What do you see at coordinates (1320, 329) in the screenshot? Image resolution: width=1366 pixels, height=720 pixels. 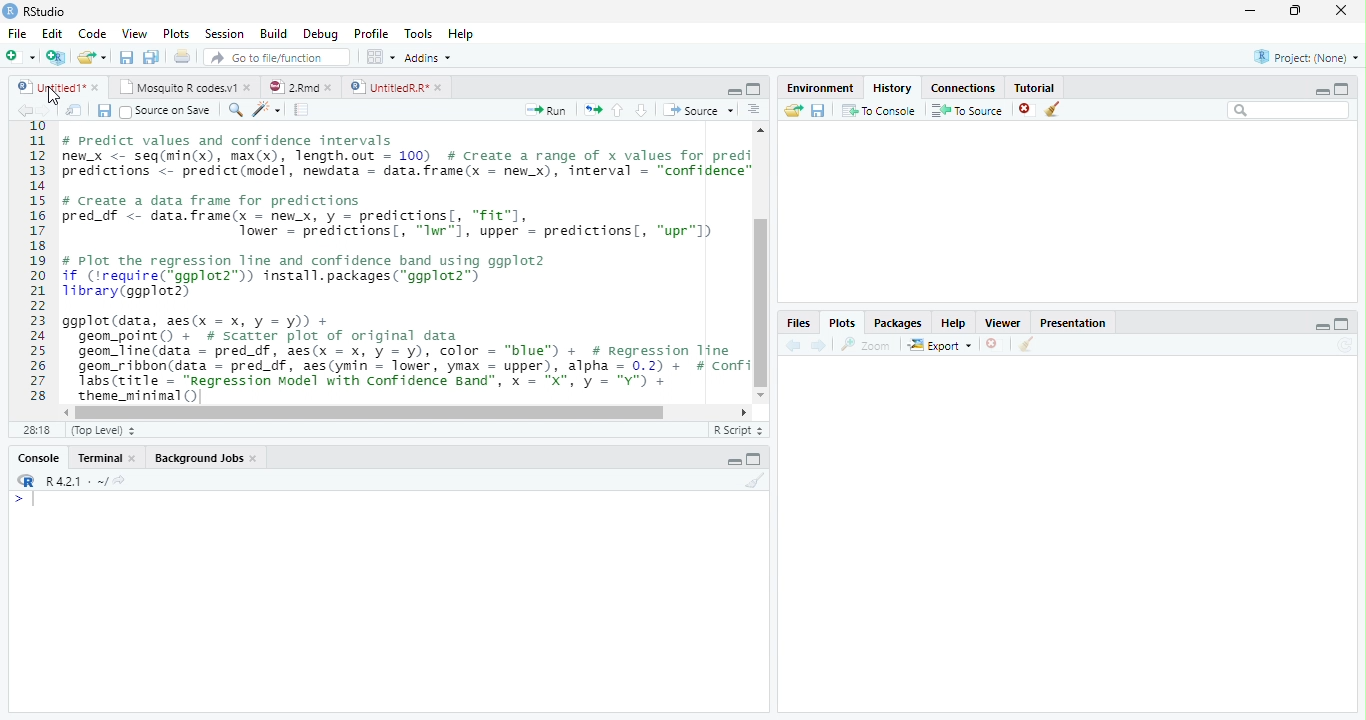 I see `minimize` at bounding box center [1320, 329].